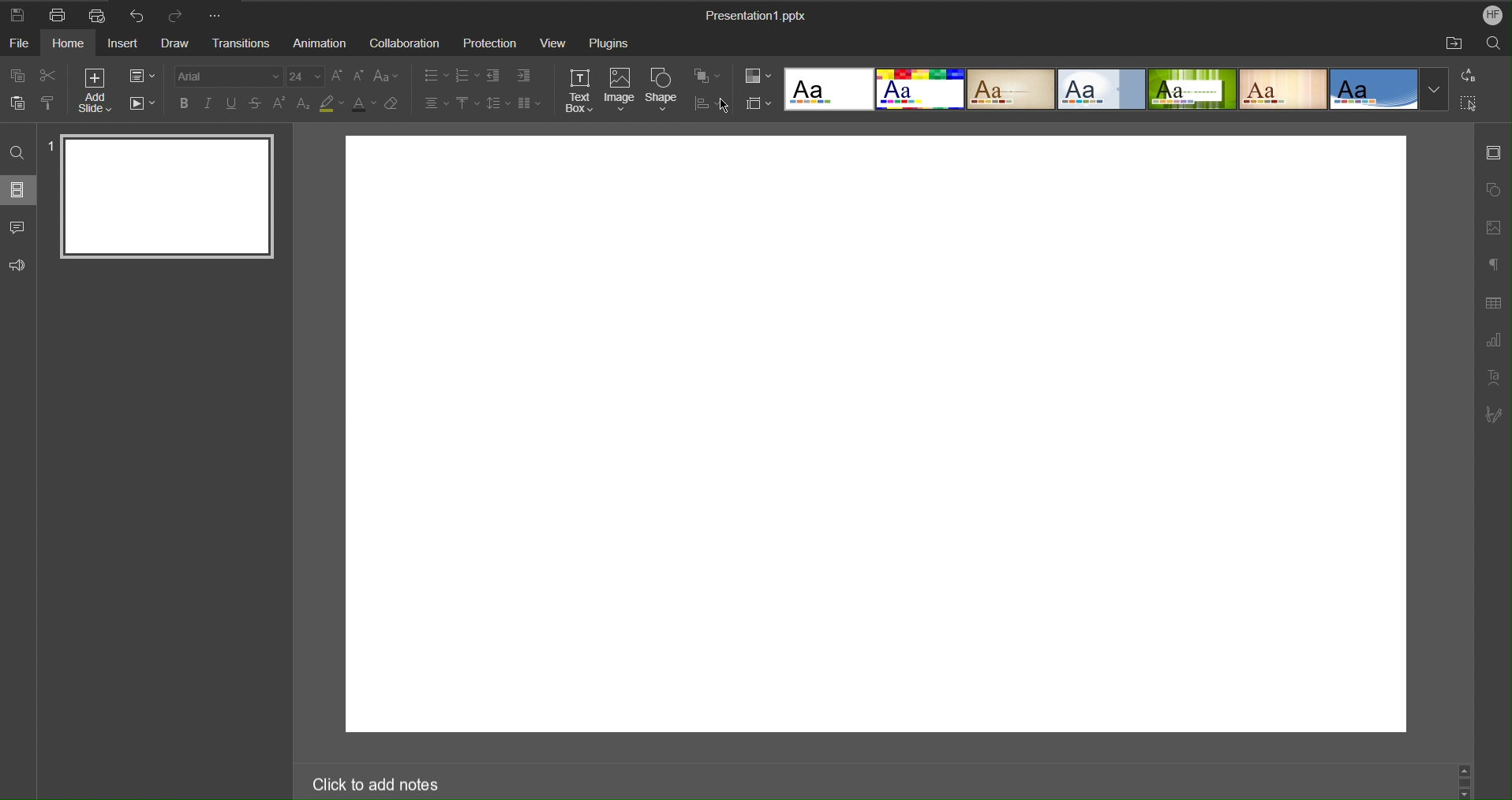 Image resolution: width=1512 pixels, height=800 pixels. Describe the element at coordinates (1492, 192) in the screenshot. I see `Shape Settings` at that location.